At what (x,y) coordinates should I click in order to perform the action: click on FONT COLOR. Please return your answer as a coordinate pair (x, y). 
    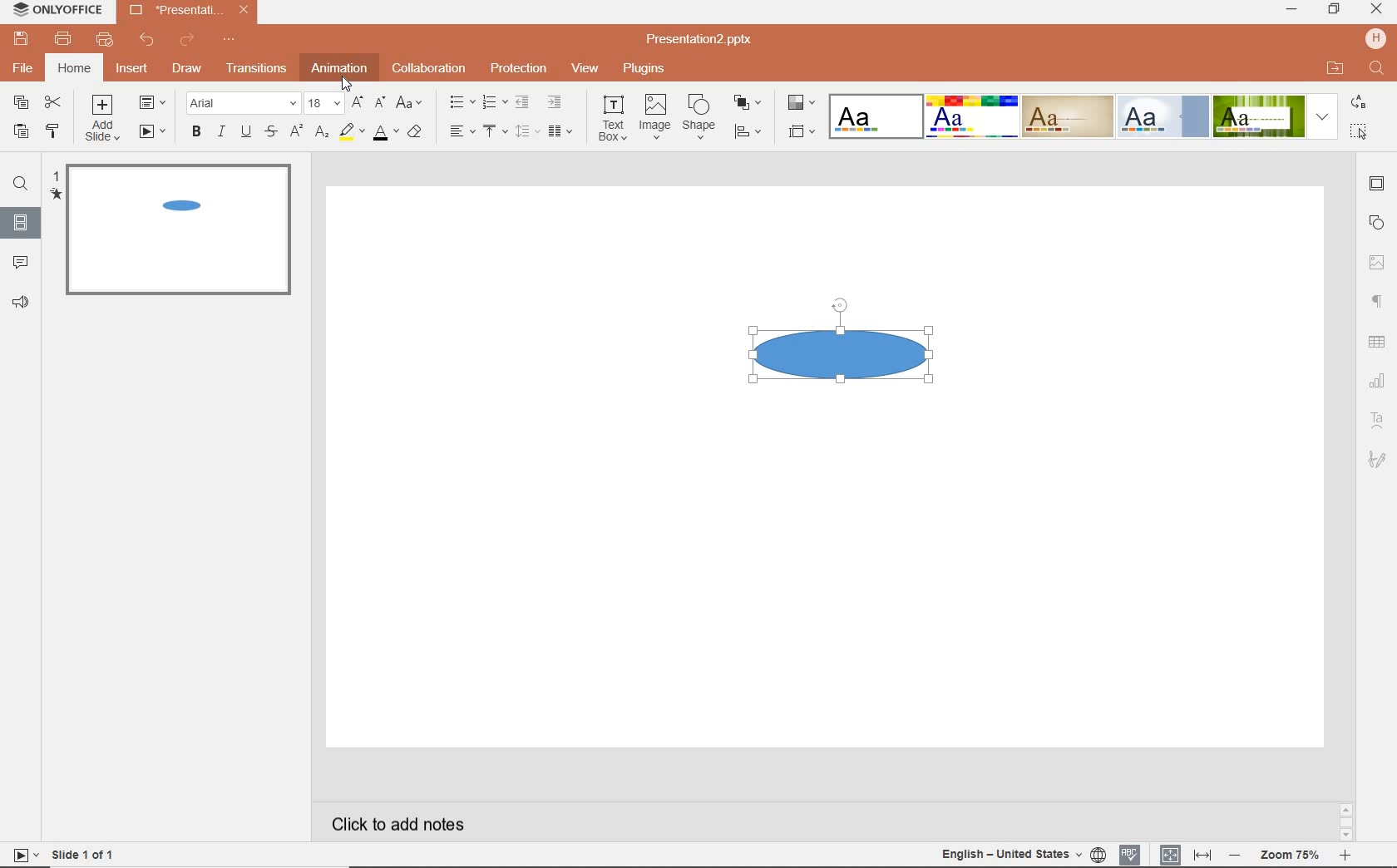
    Looking at the image, I should click on (387, 135).